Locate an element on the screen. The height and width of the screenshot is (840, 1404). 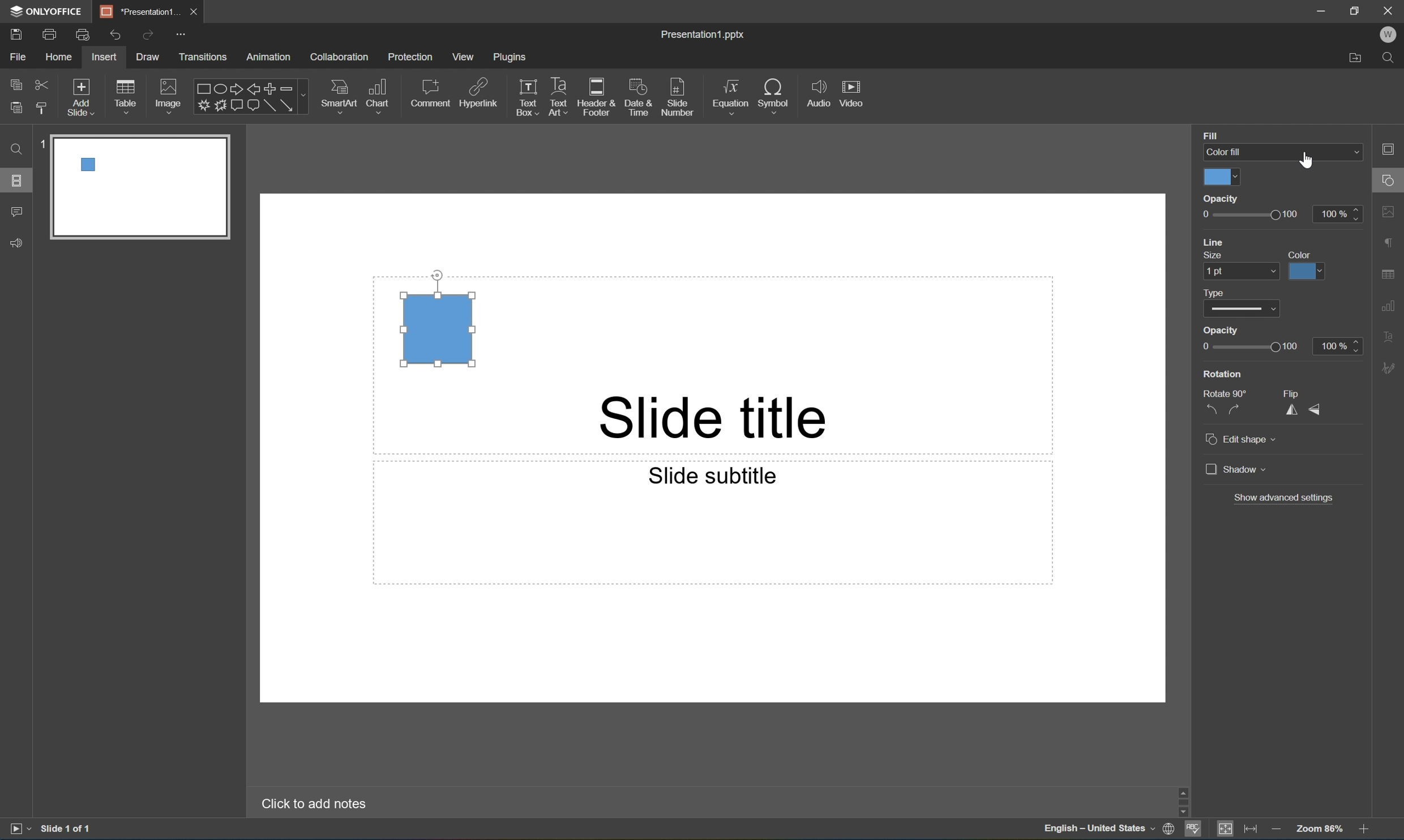
Slider is located at coordinates (1249, 217).